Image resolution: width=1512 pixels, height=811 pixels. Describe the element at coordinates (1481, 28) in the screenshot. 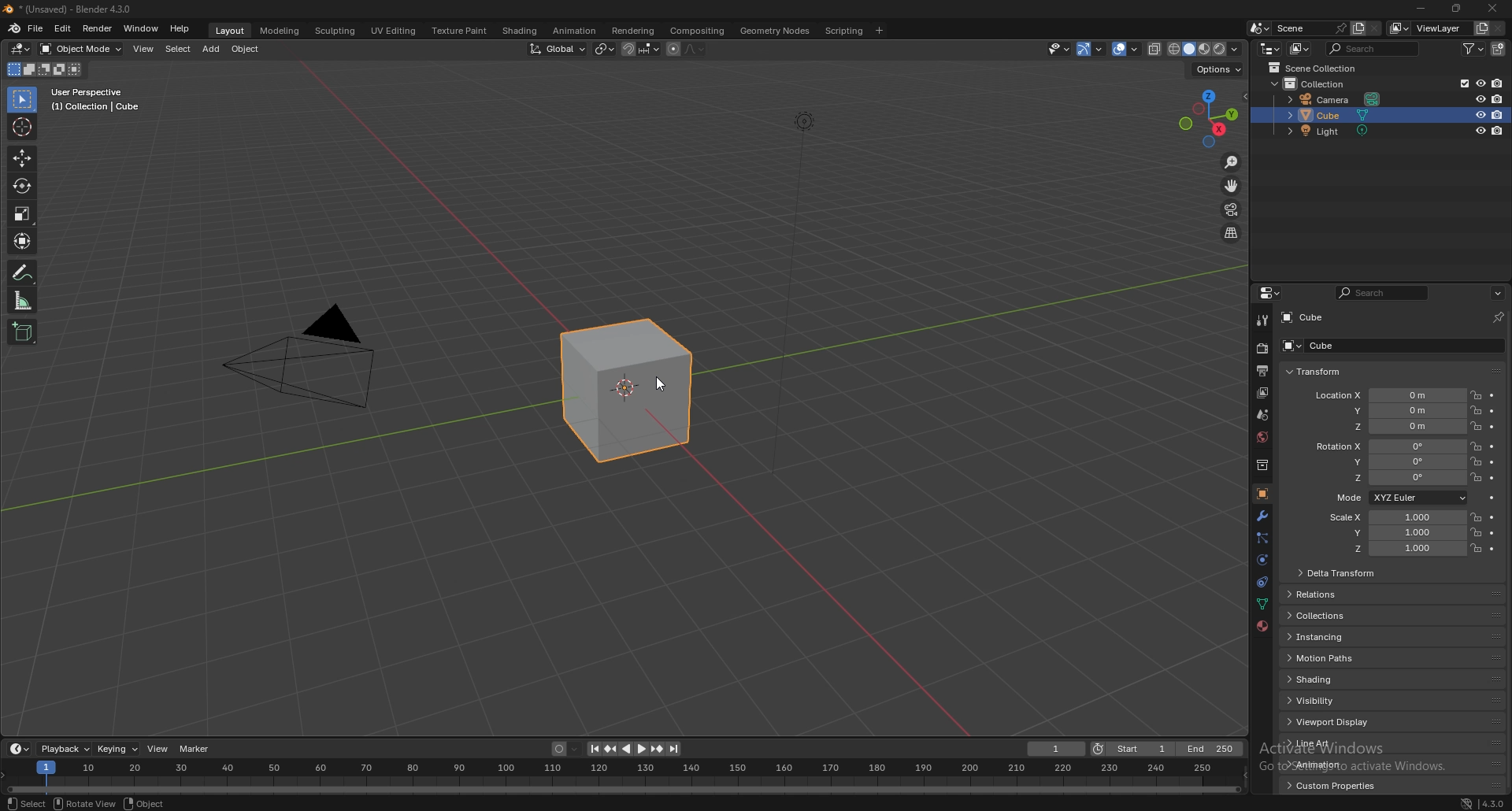

I see `add view layer` at that location.